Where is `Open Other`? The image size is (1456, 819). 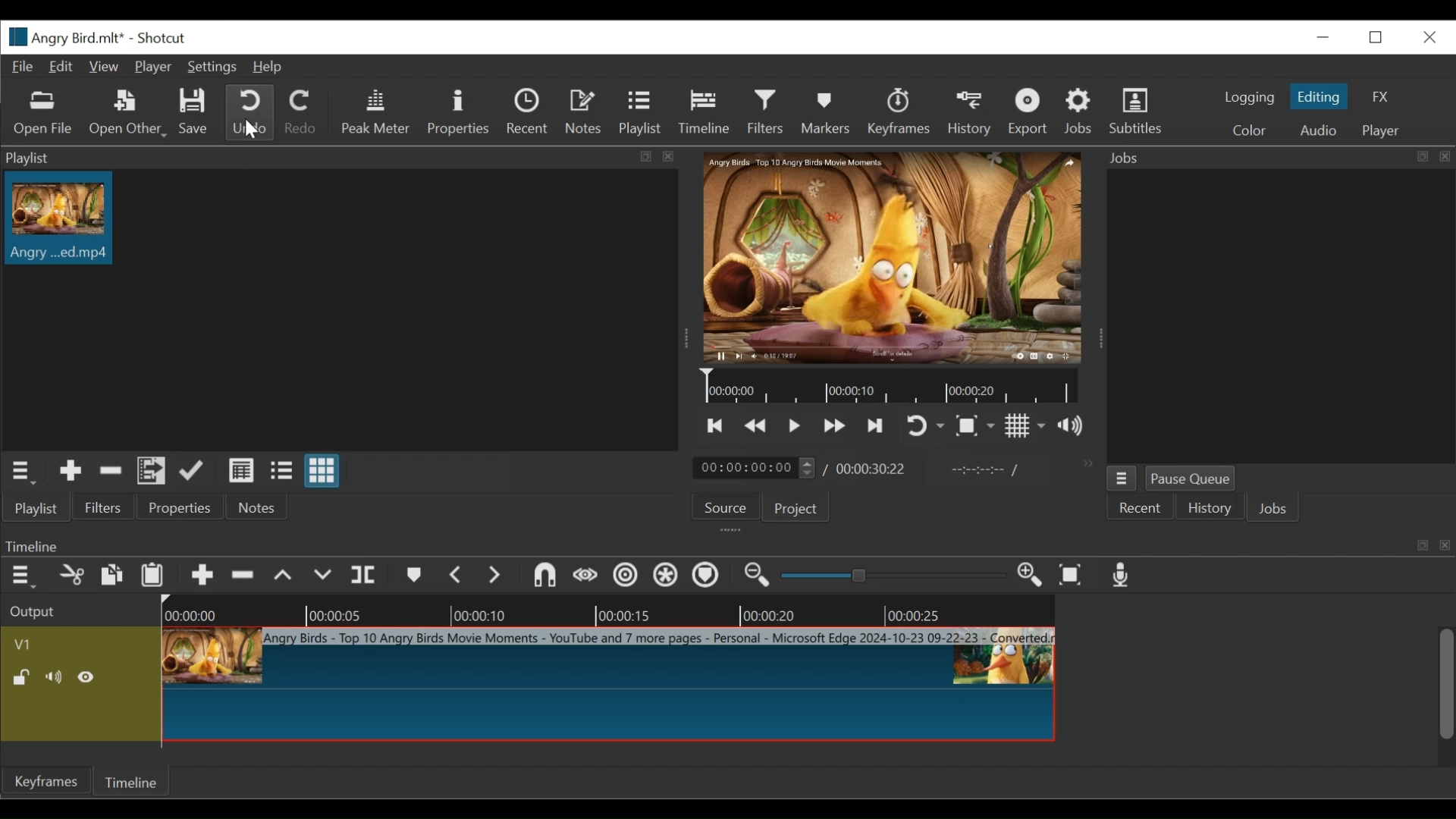
Open Other is located at coordinates (128, 115).